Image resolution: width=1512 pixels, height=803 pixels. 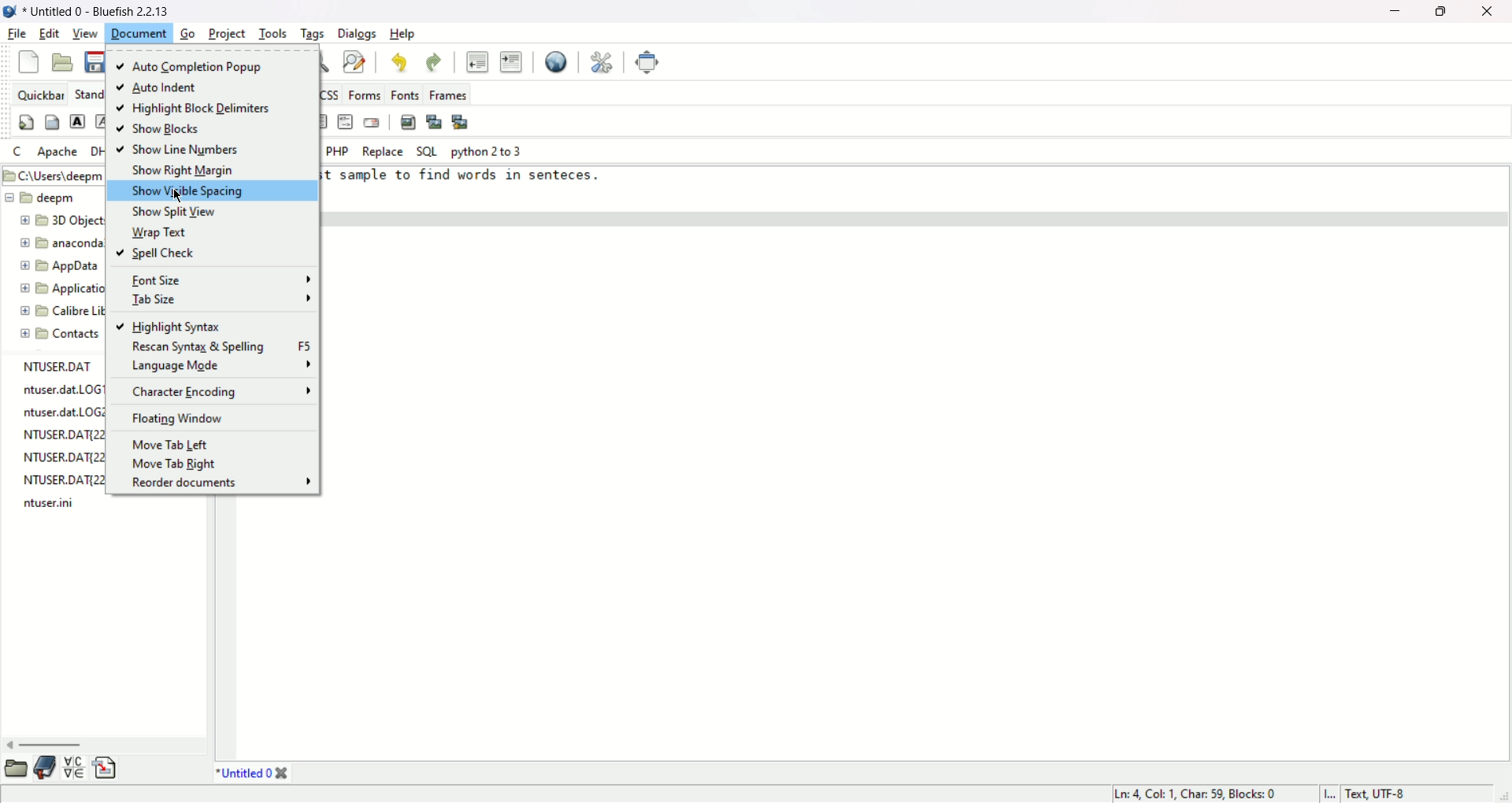 I want to click on open file, so click(x=62, y=61).